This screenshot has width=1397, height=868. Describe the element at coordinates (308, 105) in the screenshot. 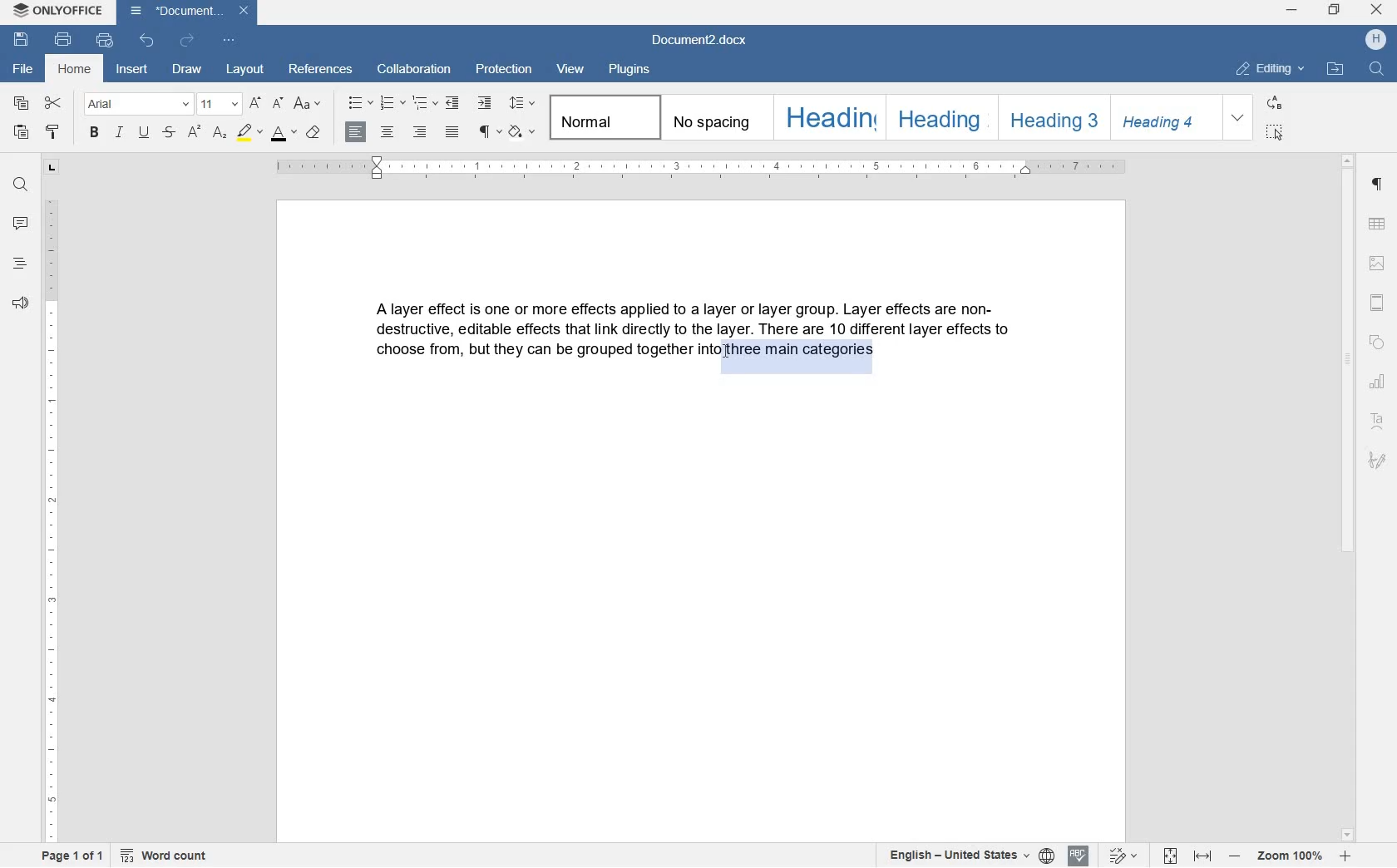

I see `change case` at that location.